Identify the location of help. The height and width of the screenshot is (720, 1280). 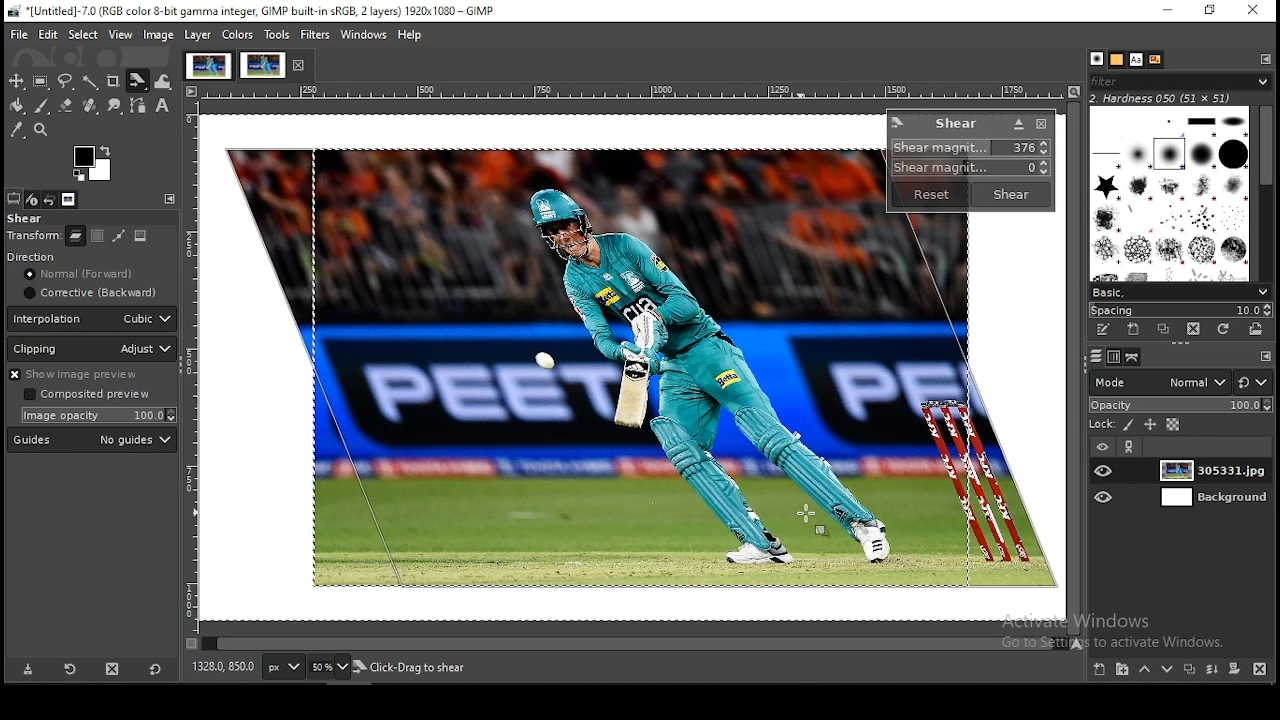
(411, 35).